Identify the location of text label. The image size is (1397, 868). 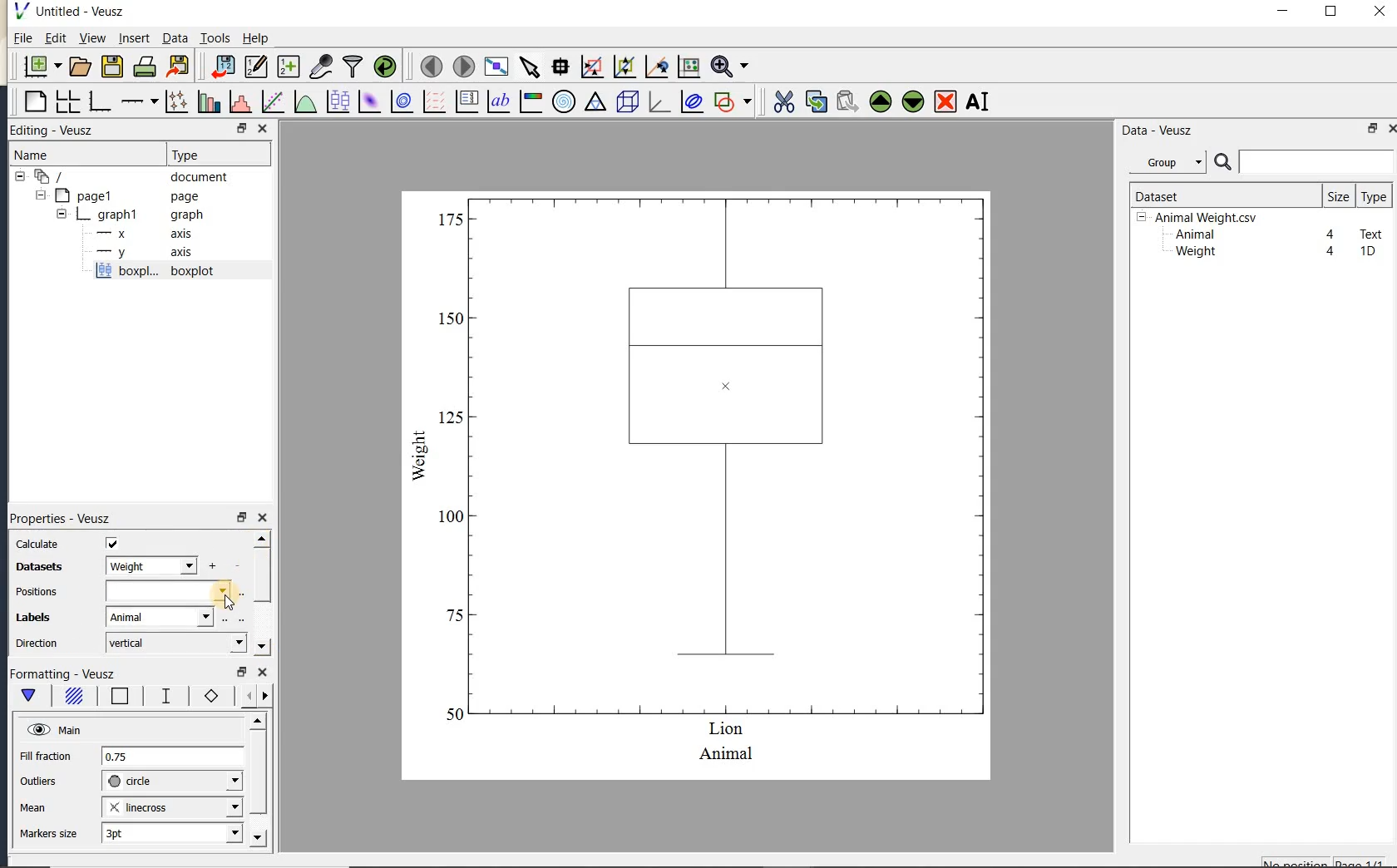
(498, 103).